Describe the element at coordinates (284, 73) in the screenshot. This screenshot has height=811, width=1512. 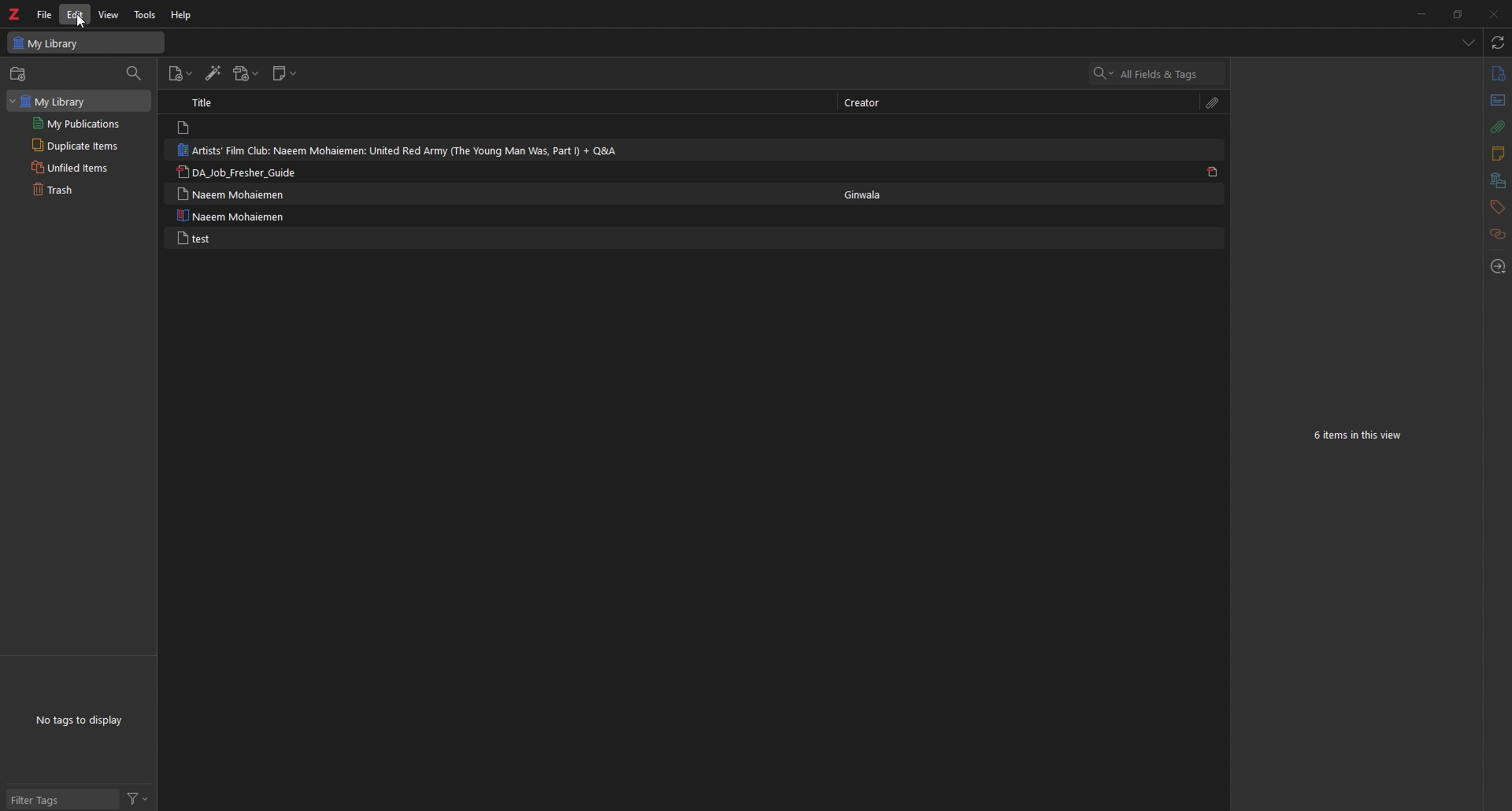
I see `new note` at that location.